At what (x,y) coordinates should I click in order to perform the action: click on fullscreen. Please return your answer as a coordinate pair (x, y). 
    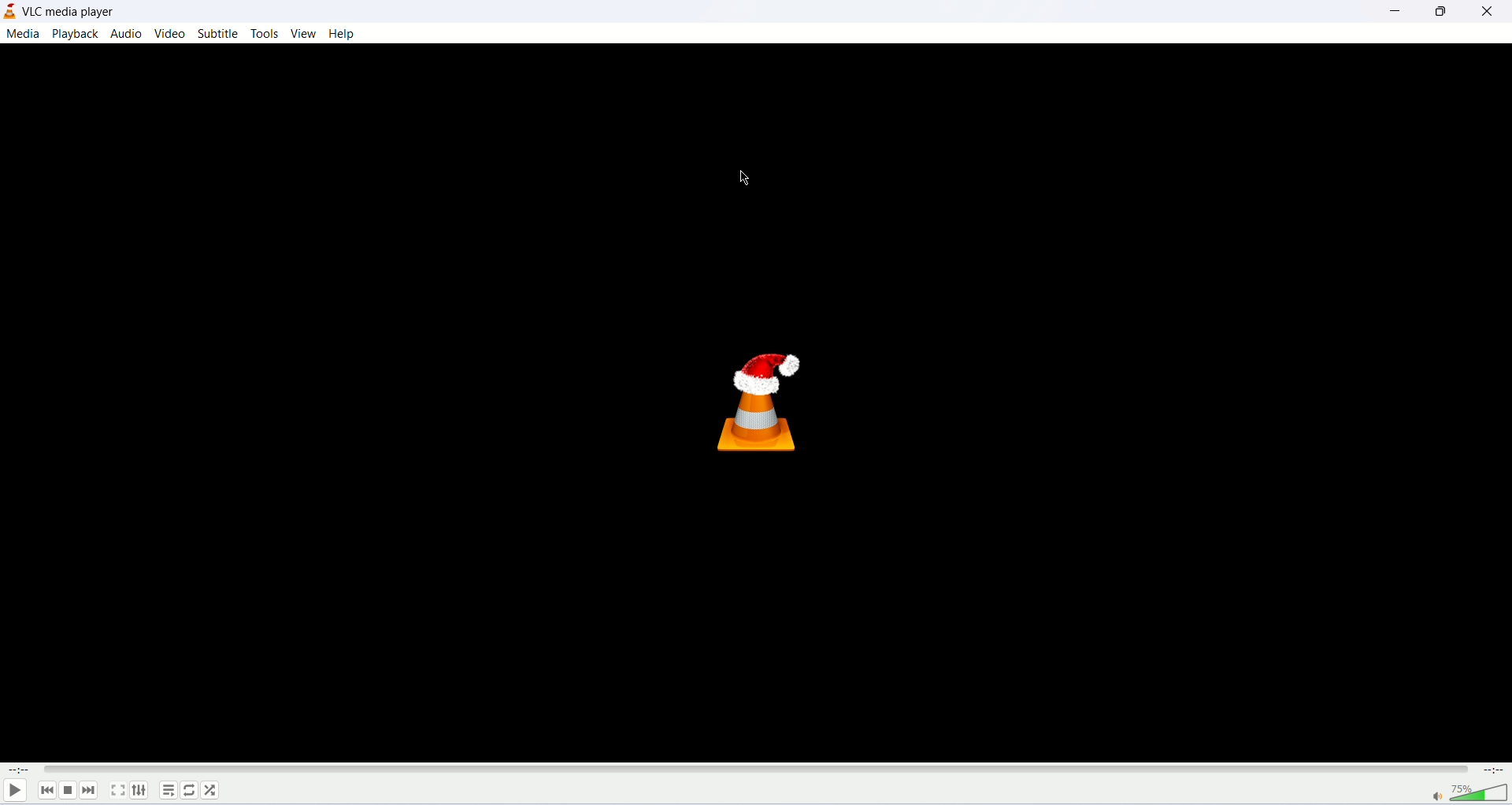
    Looking at the image, I should click on (117, 790).